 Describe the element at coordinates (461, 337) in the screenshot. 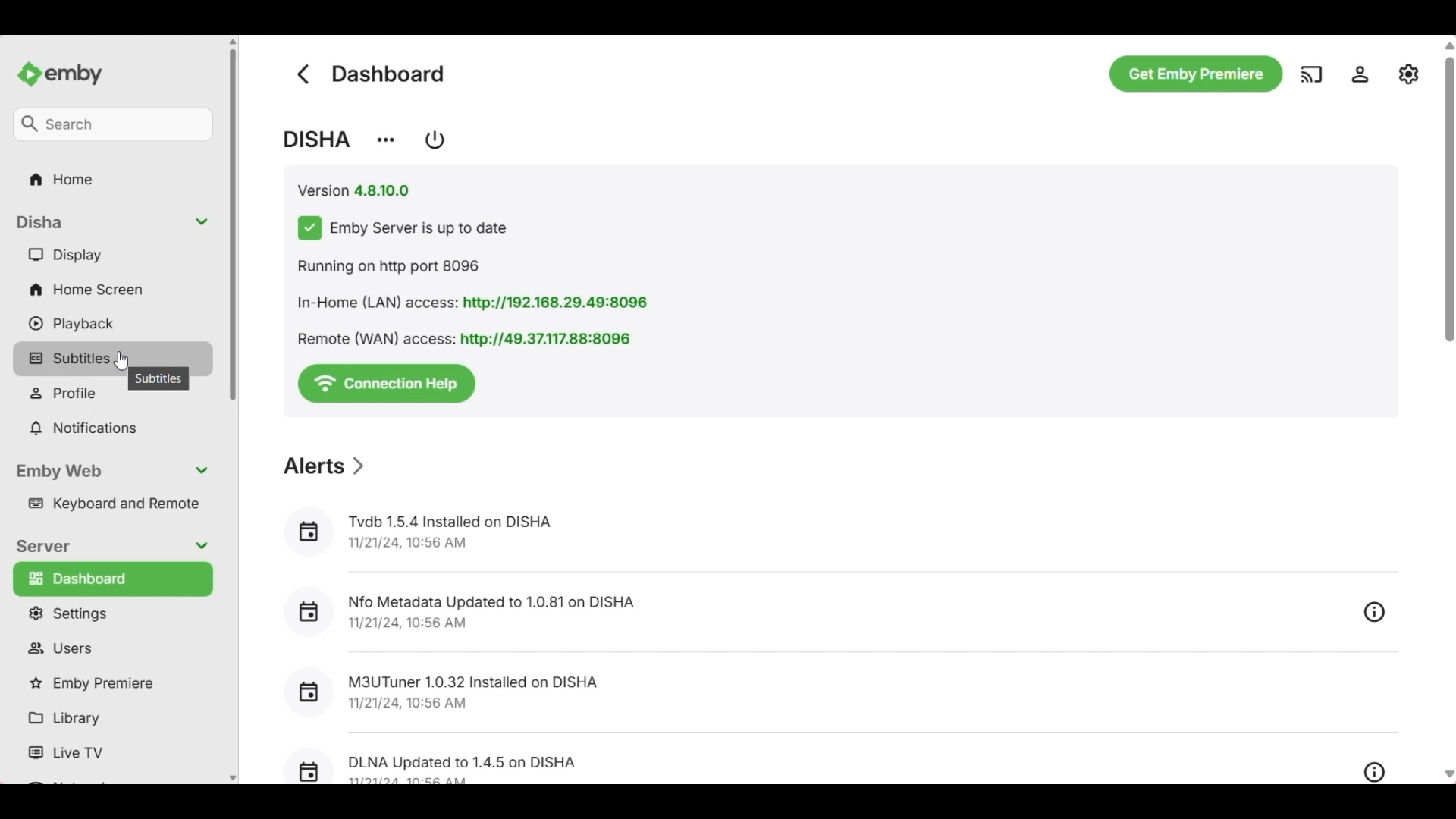

I see `` at that location.